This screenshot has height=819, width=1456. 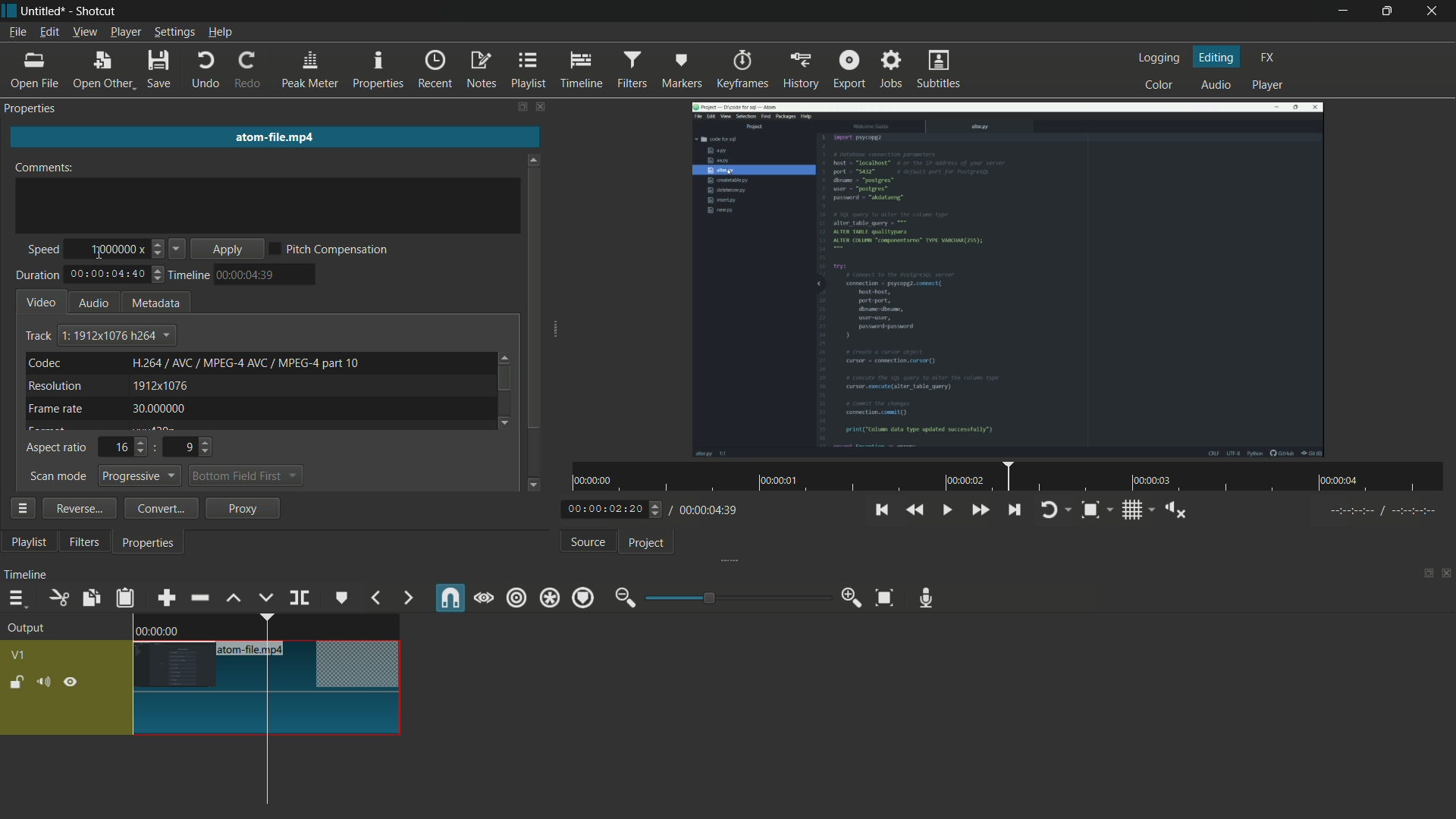 I want to click on ripple all tracks, so click(x=549, y=598).